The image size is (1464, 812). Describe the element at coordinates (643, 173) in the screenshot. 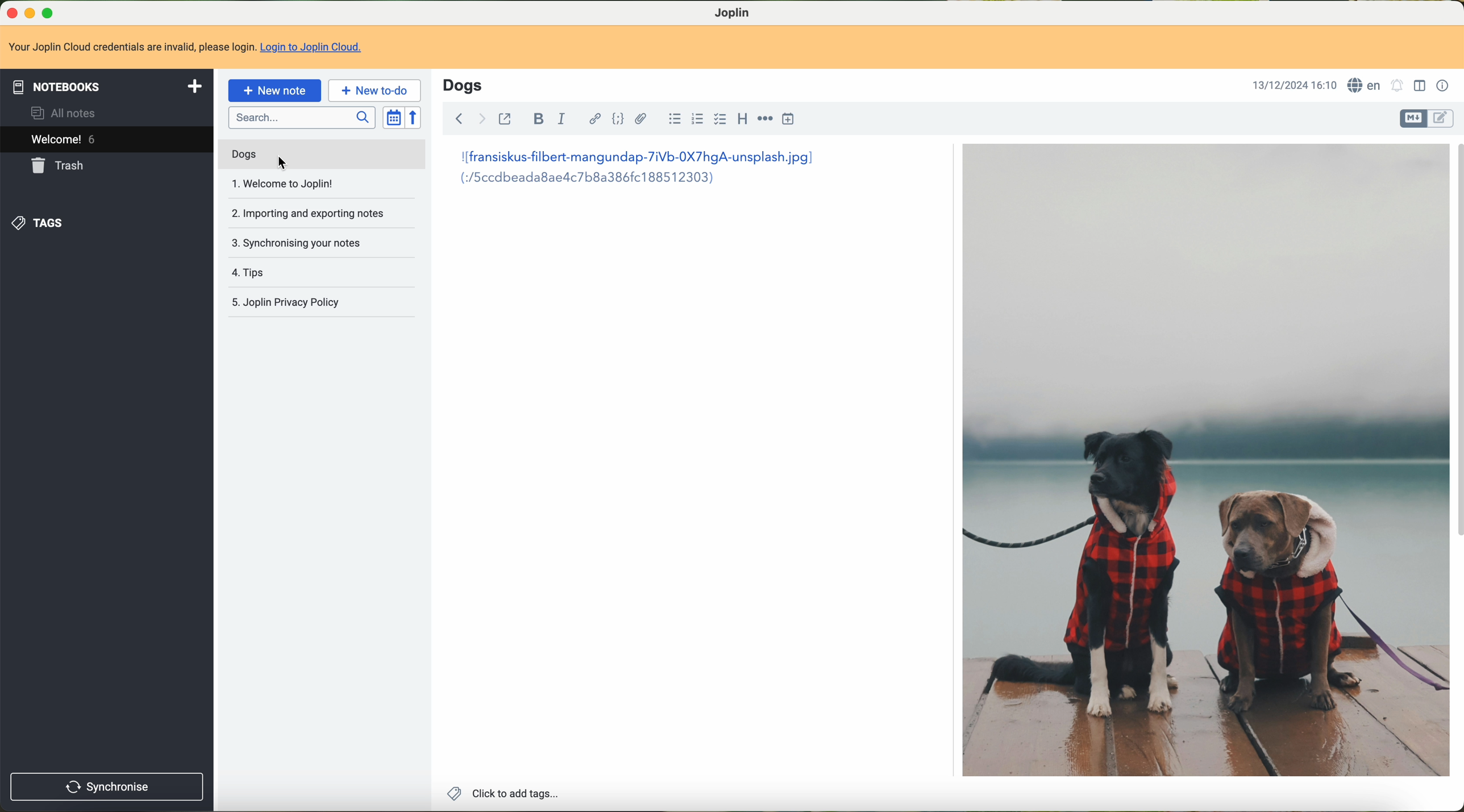

I see `I[fransiskus-filbert-mangundap-7iVb-0X7hgA-unsplash.jpg]
(:/5ccdbeada8aedc7b8a386fc188512303)` at that location.